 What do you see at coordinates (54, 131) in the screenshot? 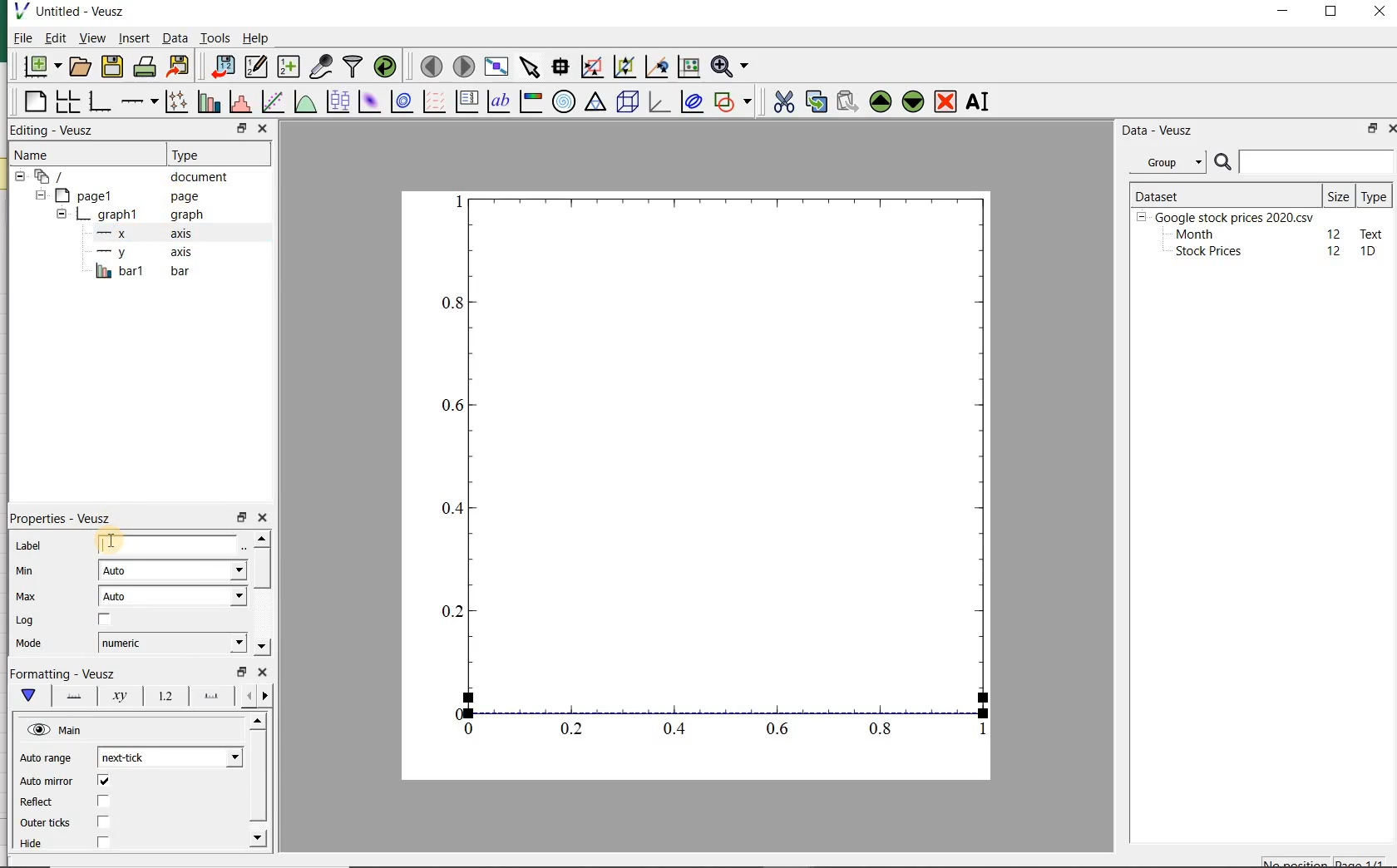
I see `Editing - Veusz` at bounding box center [54, 131].